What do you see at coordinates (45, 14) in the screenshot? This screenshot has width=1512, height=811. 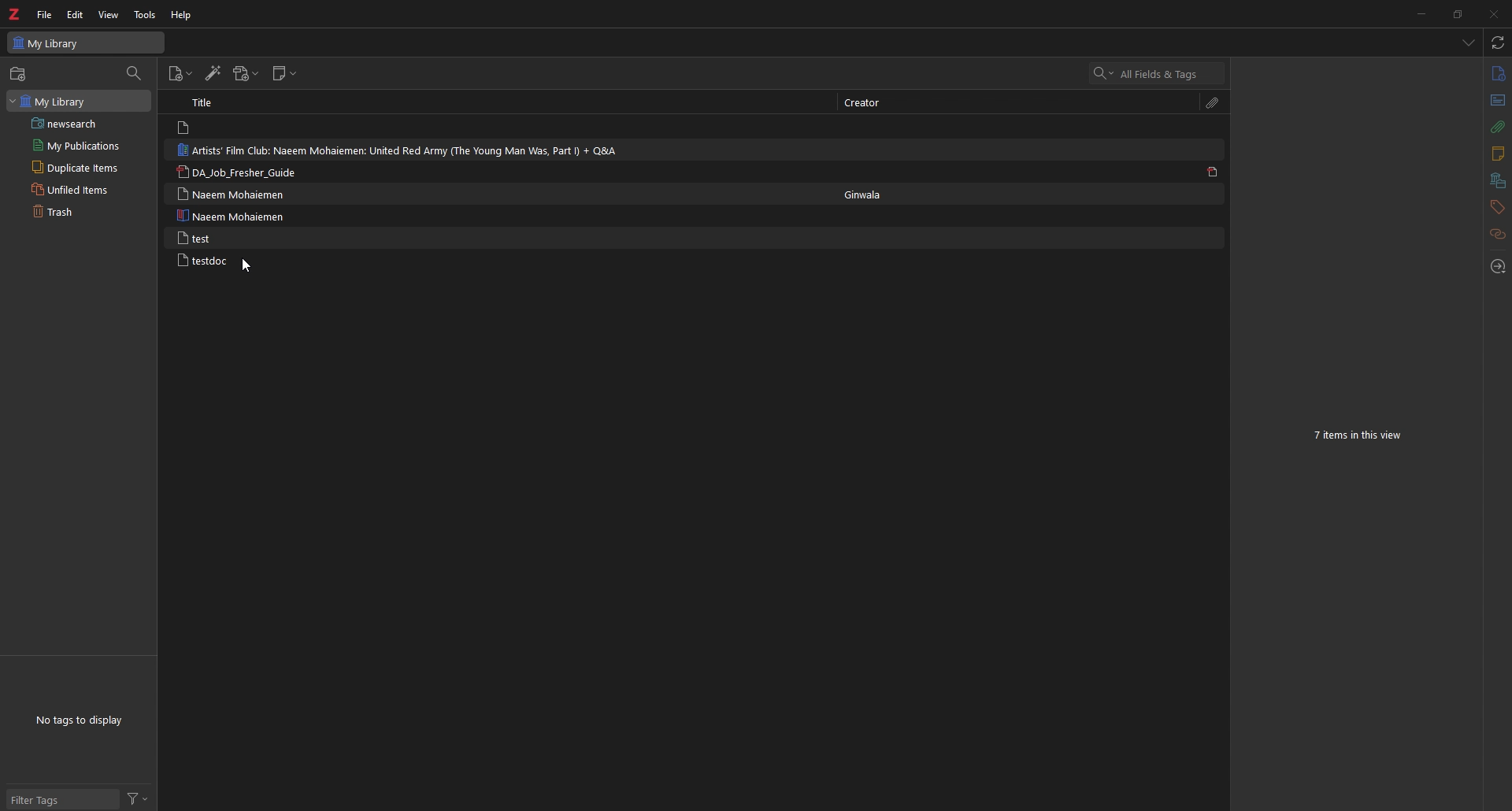 I see `file` at bounding box center [45, 14].